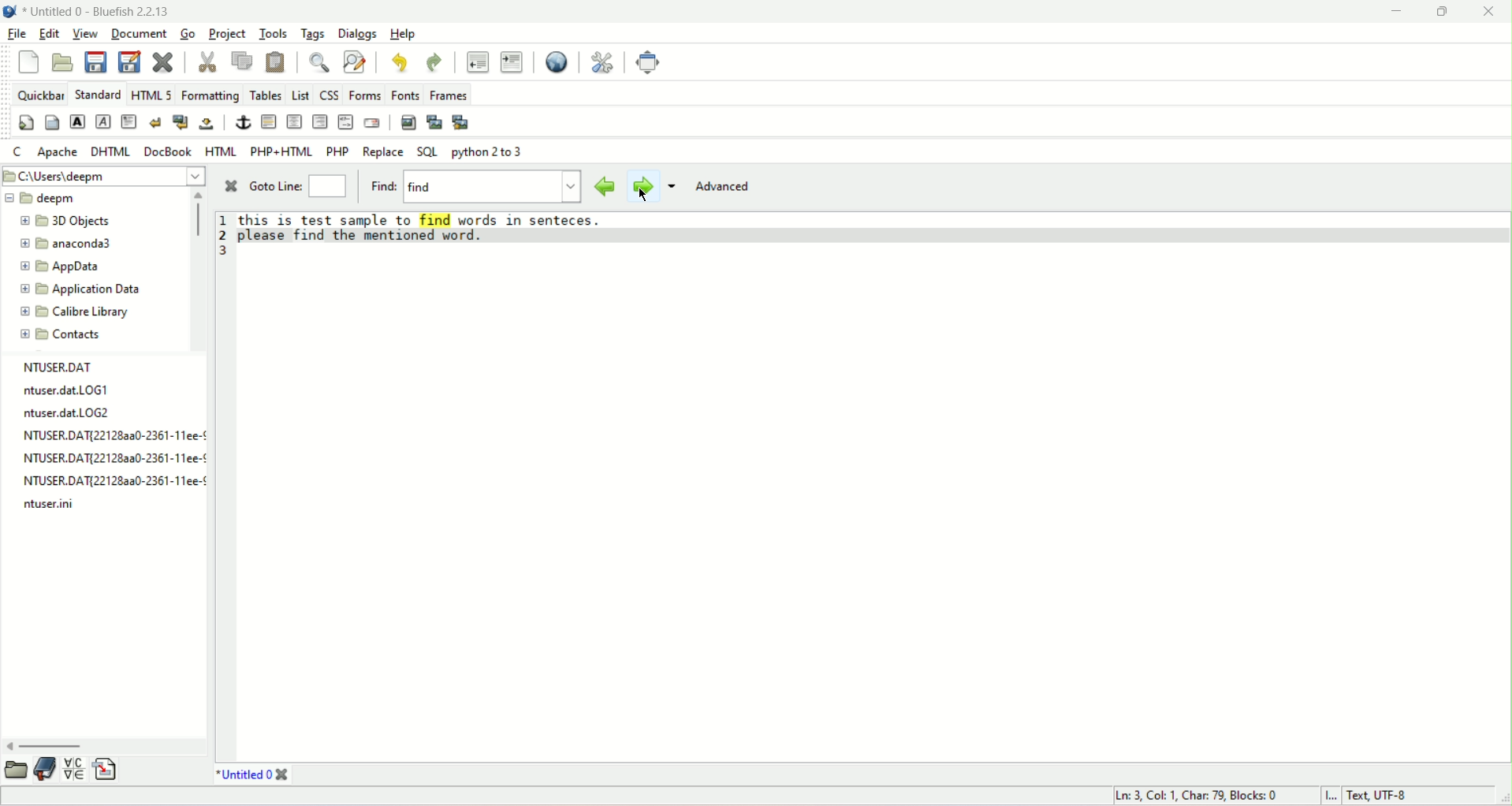 The height and width of the screenshot is (806, 1512). Describe the element at coordinates (25, 122) in the screenshot. I see `quickstart` at that location.